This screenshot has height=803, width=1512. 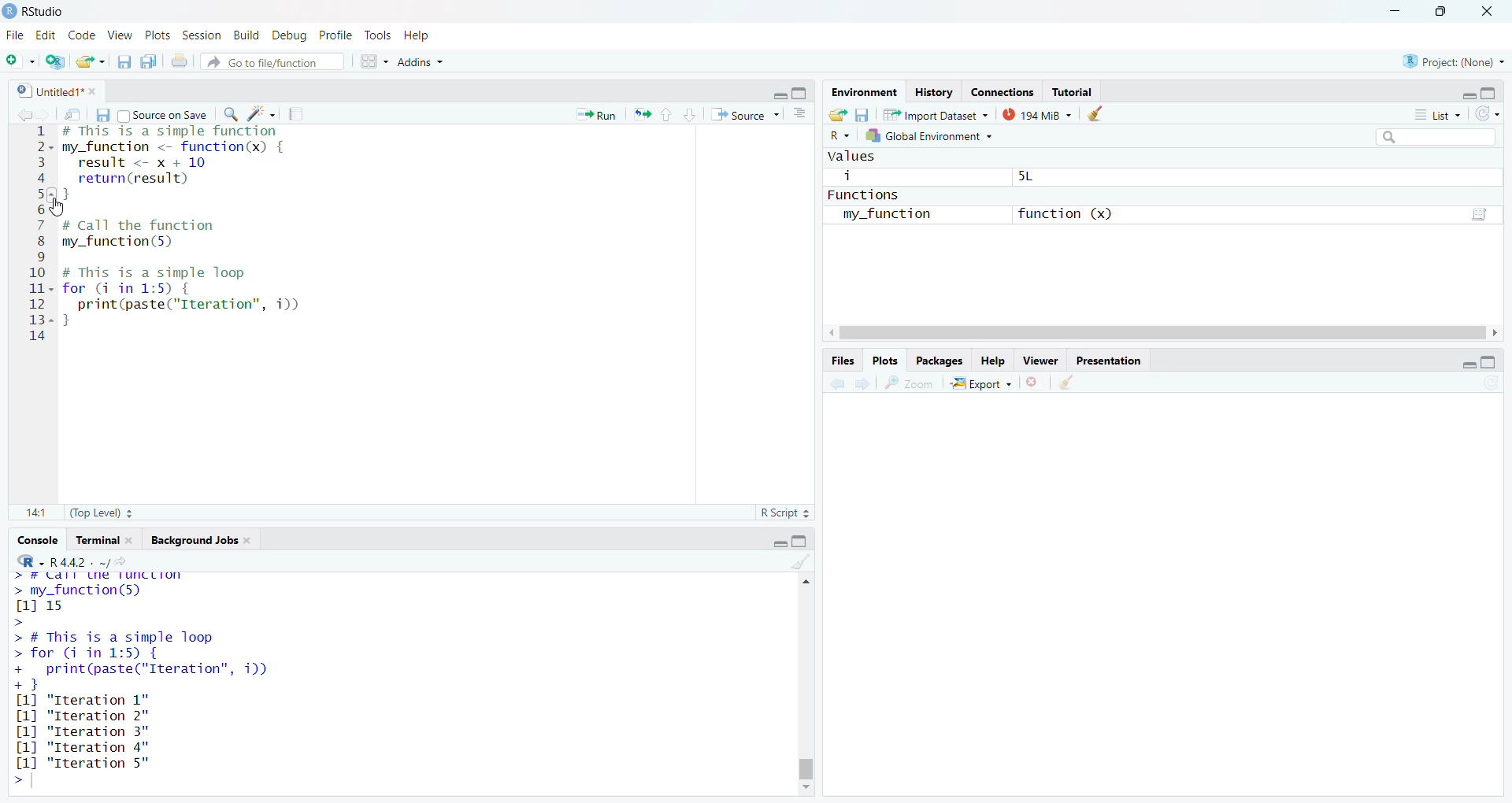 What do you see at coordinates (156, 34) in the screenshot?
I see `plots` at bounding box center [156, 34].